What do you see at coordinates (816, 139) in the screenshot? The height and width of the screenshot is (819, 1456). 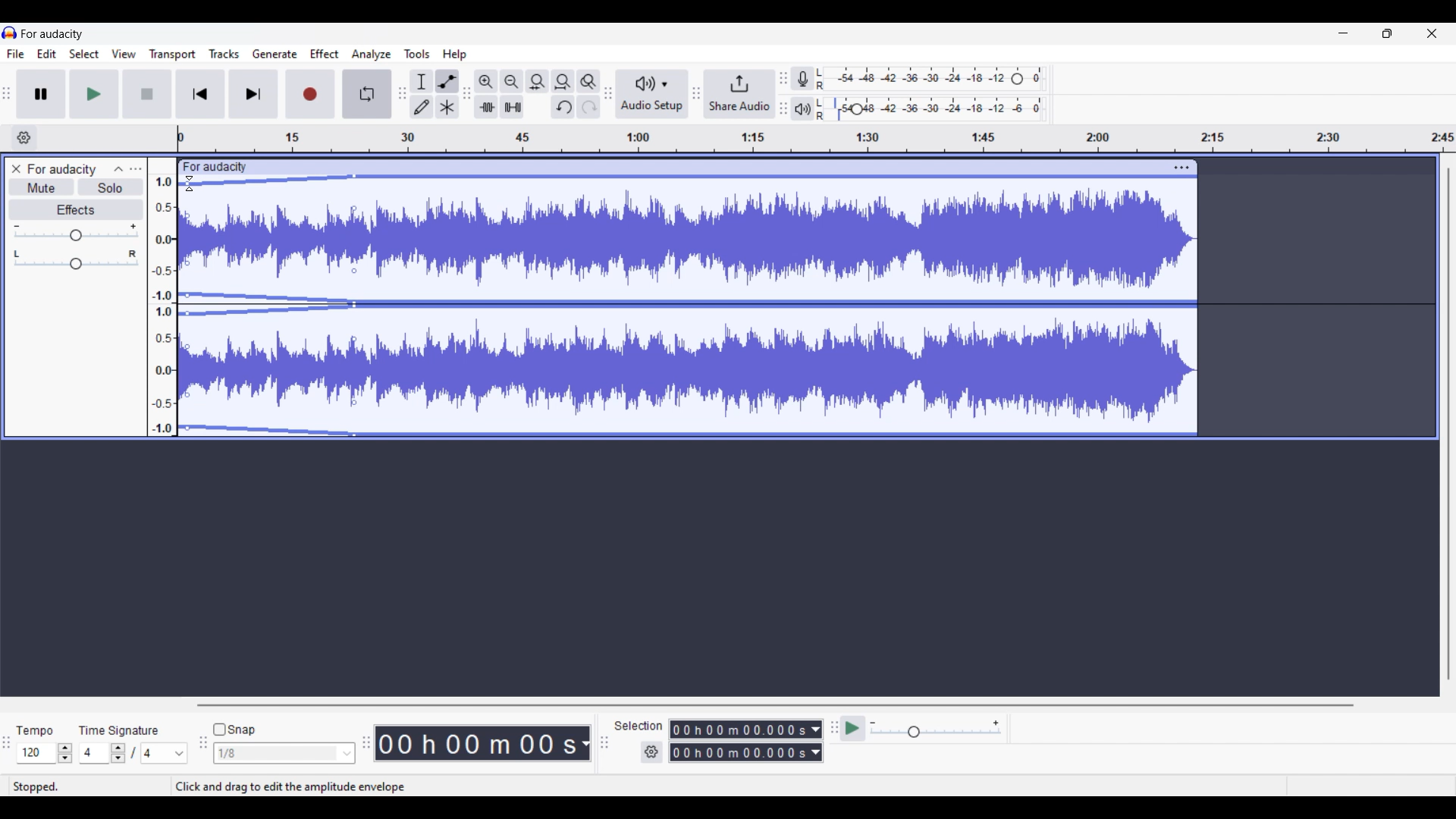 I see `timeline` at bounding box center [816, 139].